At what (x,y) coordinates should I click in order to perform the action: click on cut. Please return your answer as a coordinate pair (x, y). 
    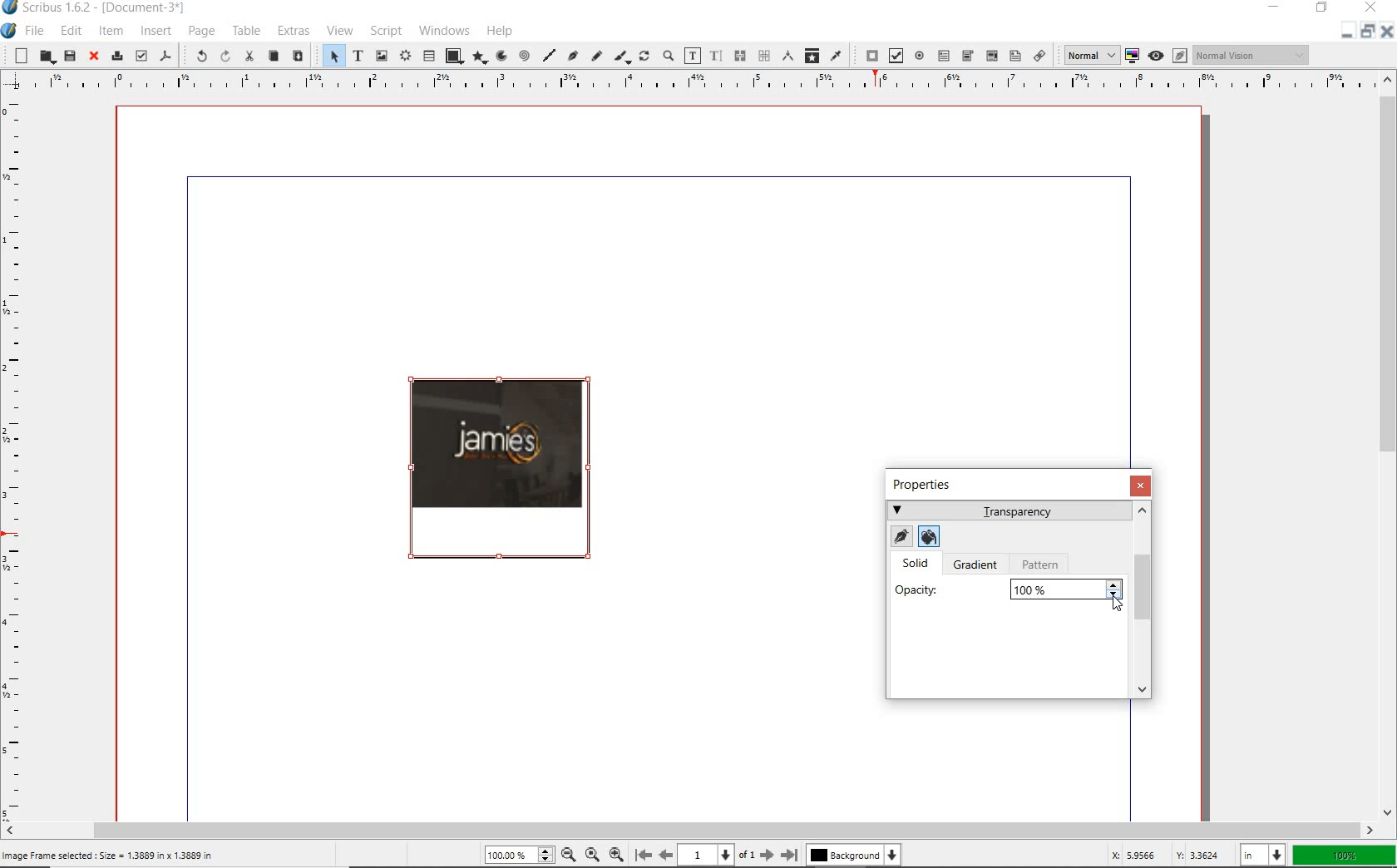
    Looking at the image, I should click on (249, 57).